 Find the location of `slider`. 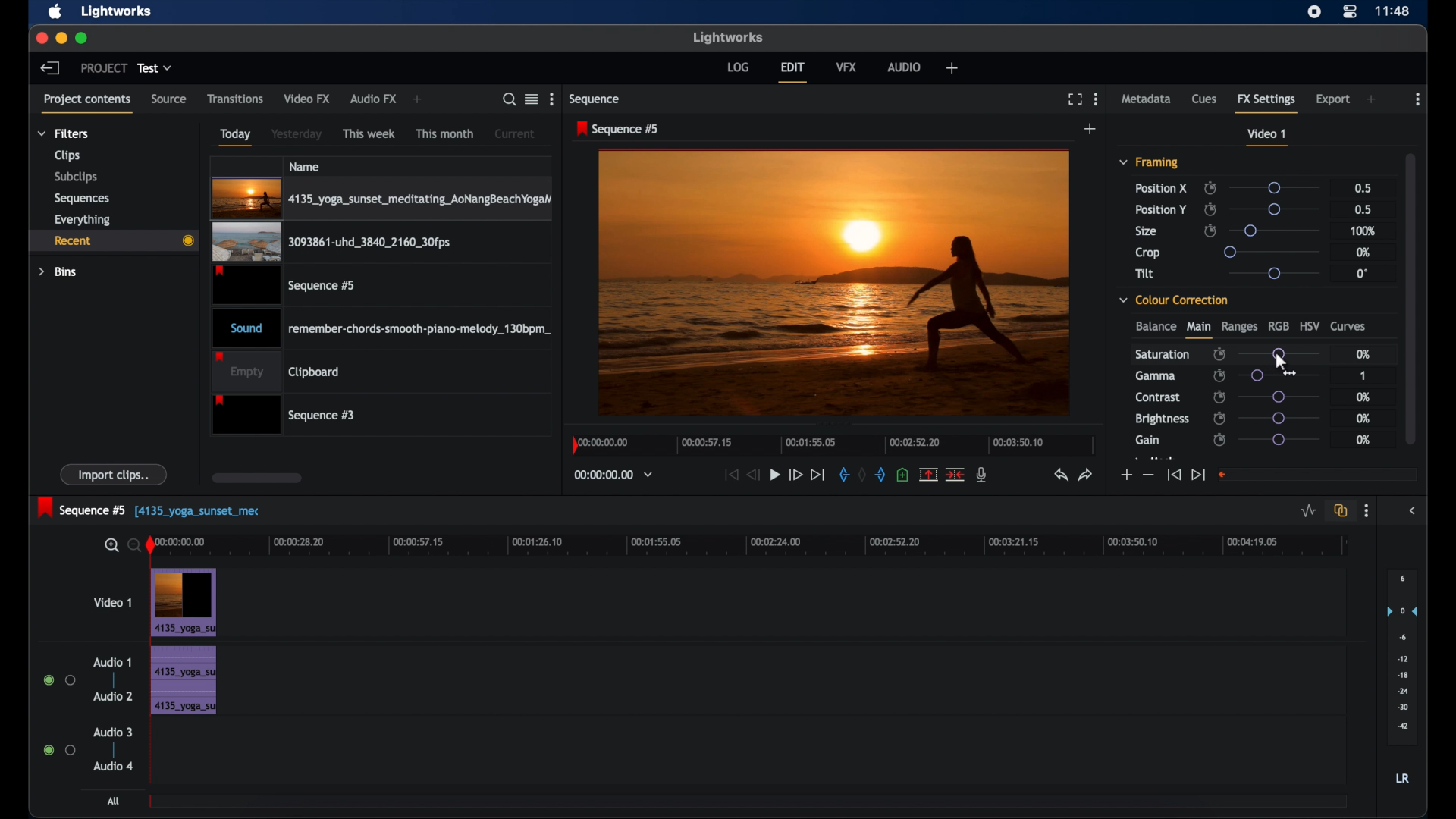

slider is located at coordinates (1273, 187).